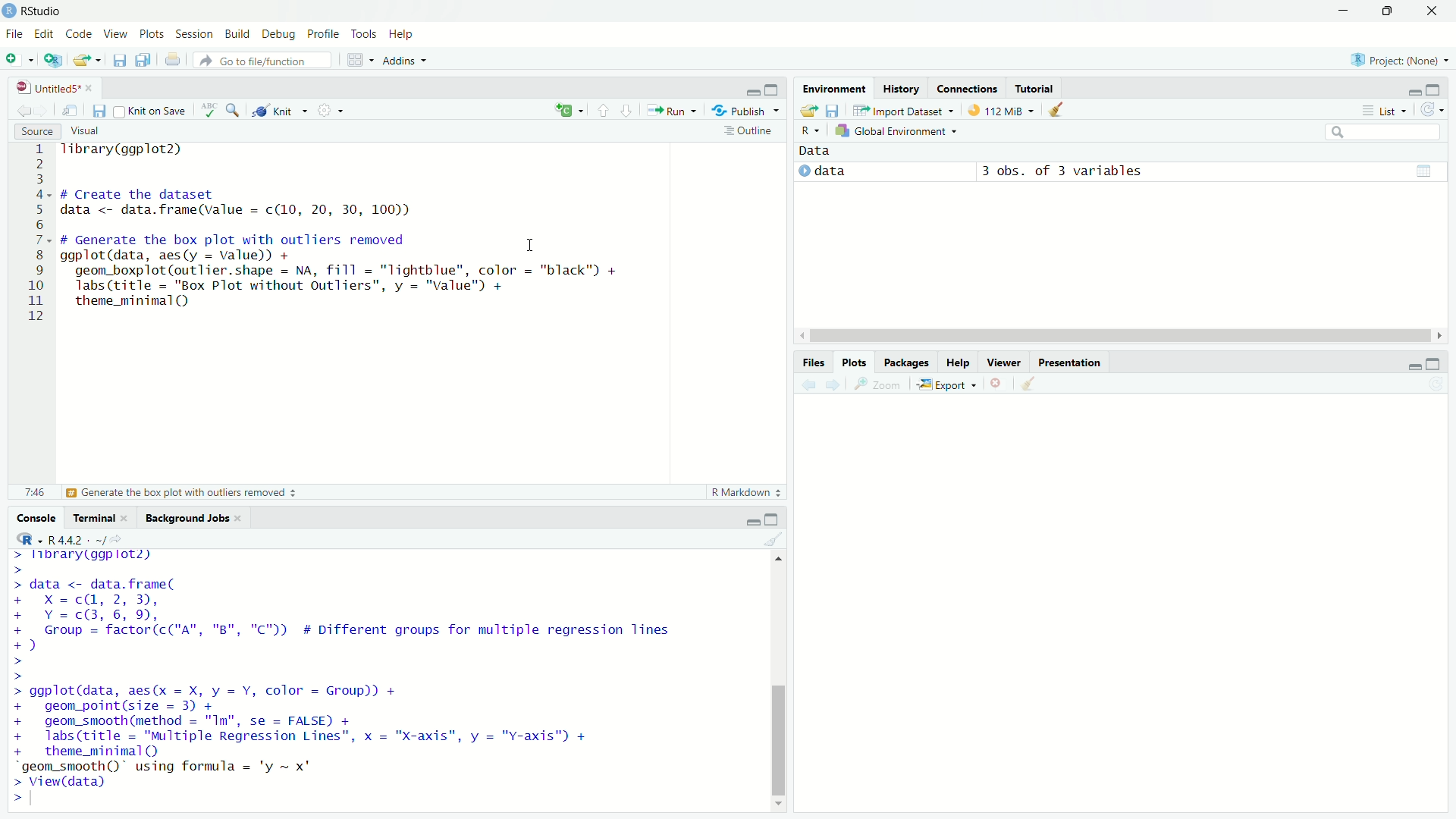 The image size is (1456, 819). I want to click on 7:46, so click(31, 491).